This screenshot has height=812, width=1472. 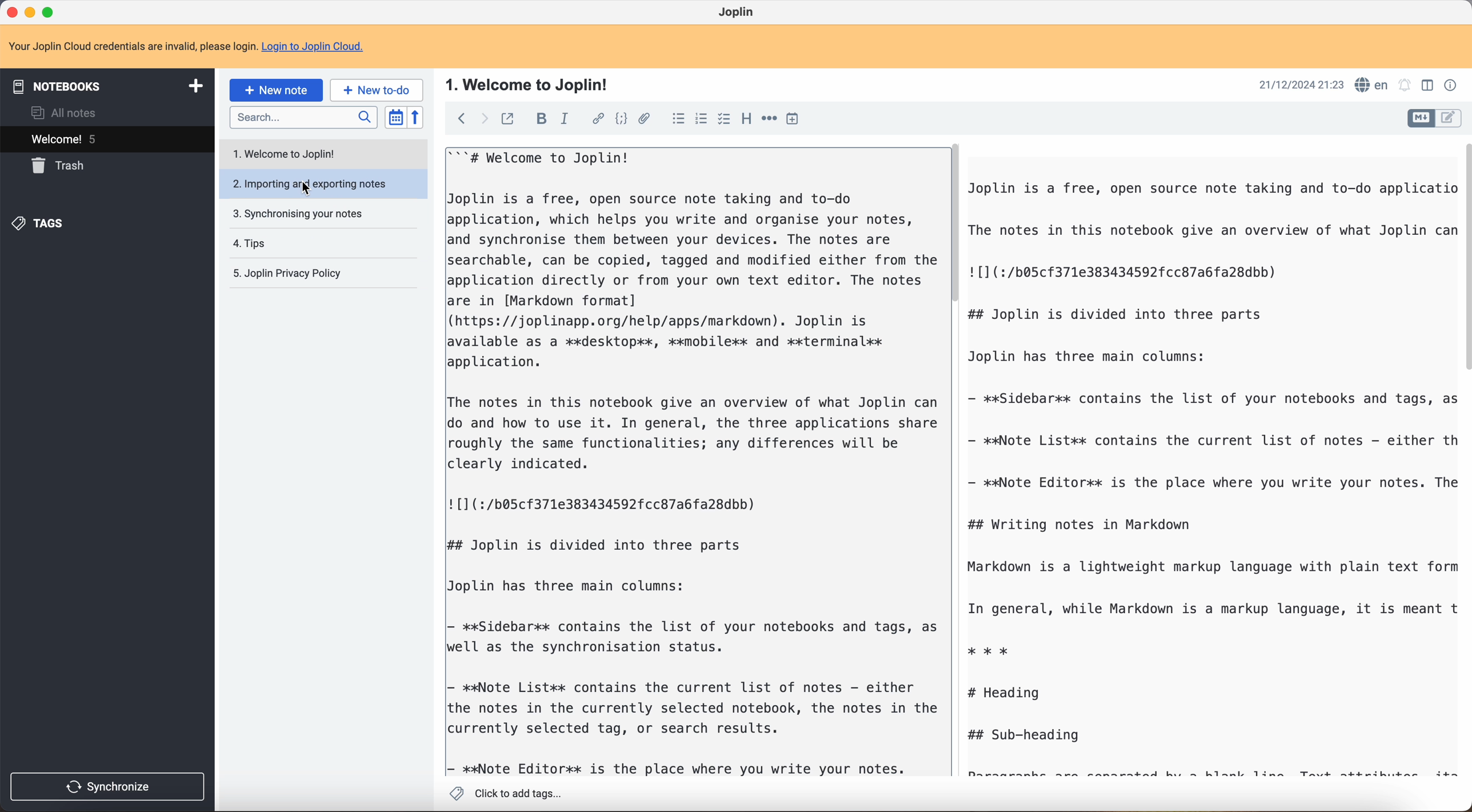 I want to click on new to-do, so click(x=378, y=90).